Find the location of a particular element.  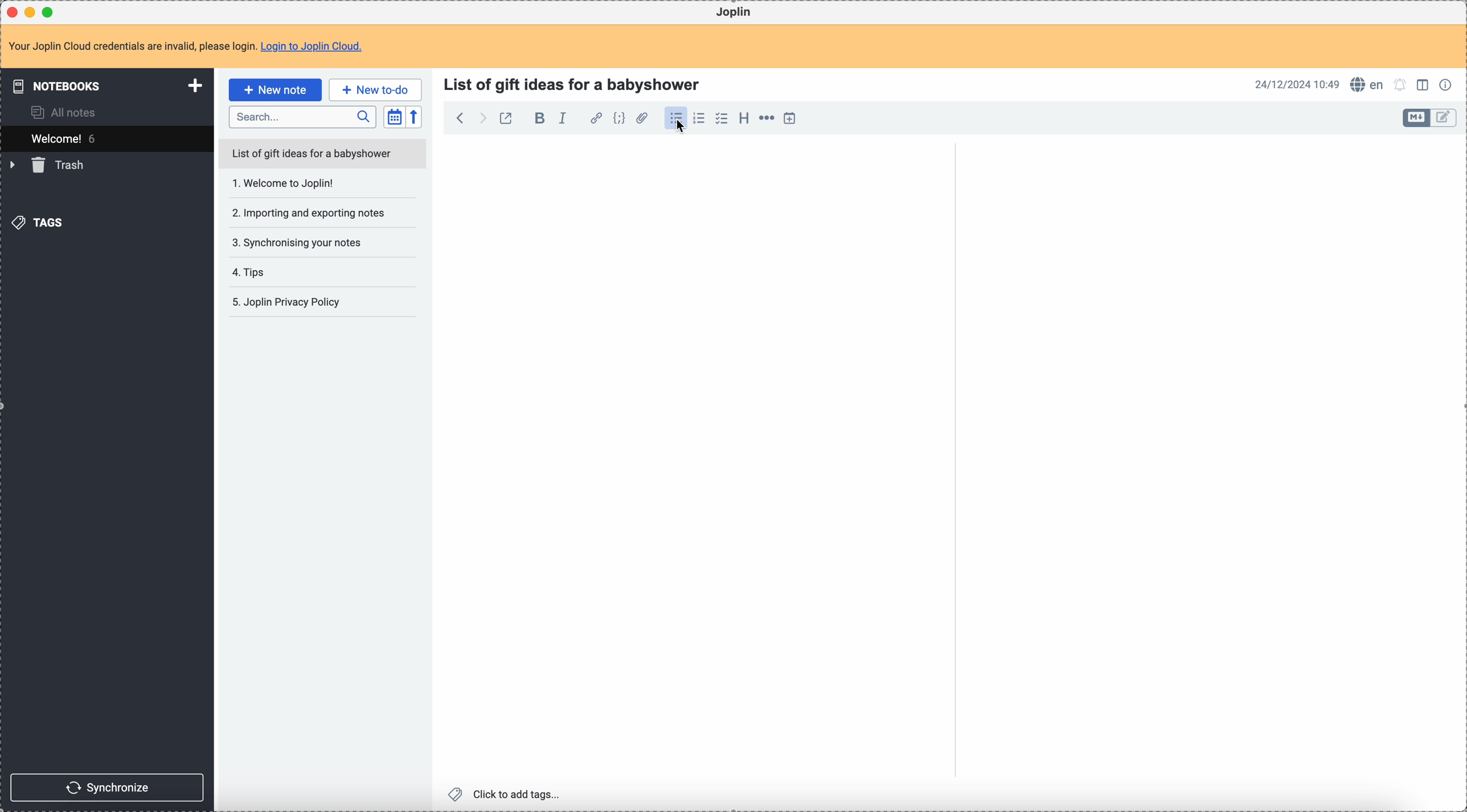

insert time is located at coordinates (793, 118).